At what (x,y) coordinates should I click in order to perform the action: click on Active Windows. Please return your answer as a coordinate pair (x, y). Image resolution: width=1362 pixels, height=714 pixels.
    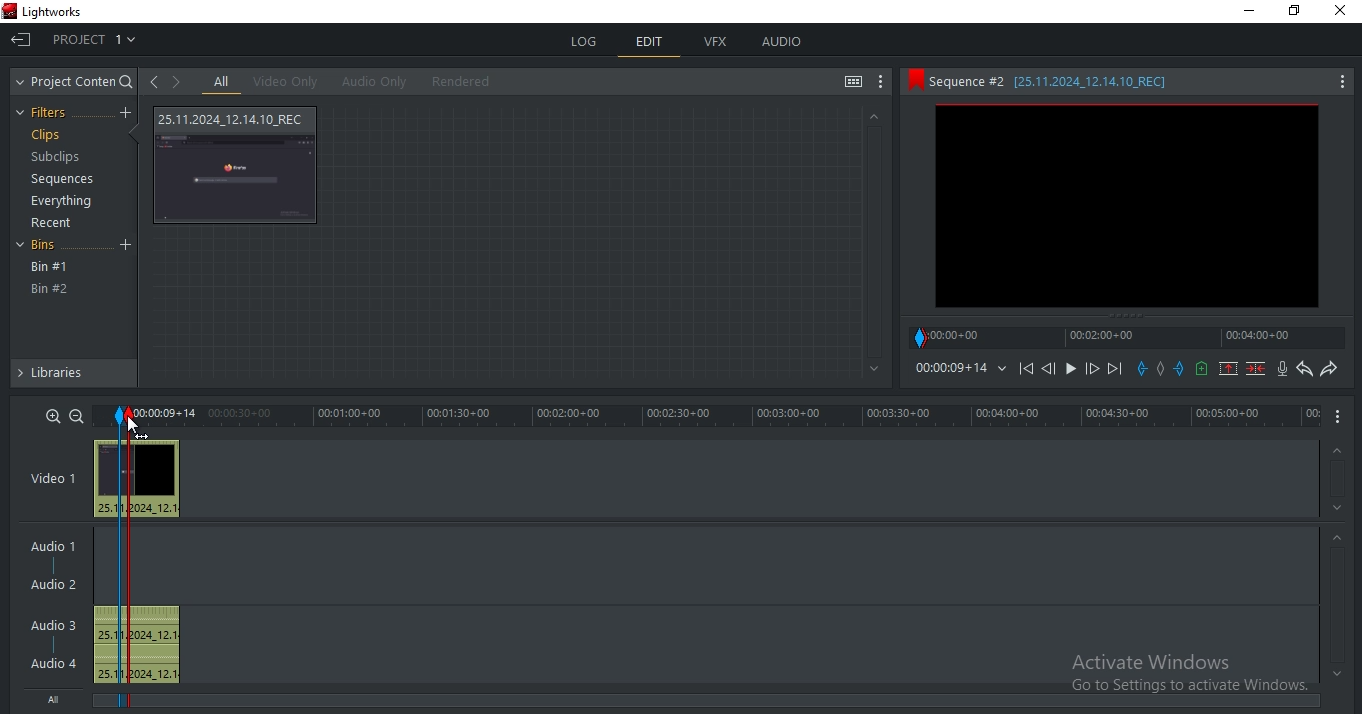
    Looking at the image, I should click on (1181, 668).